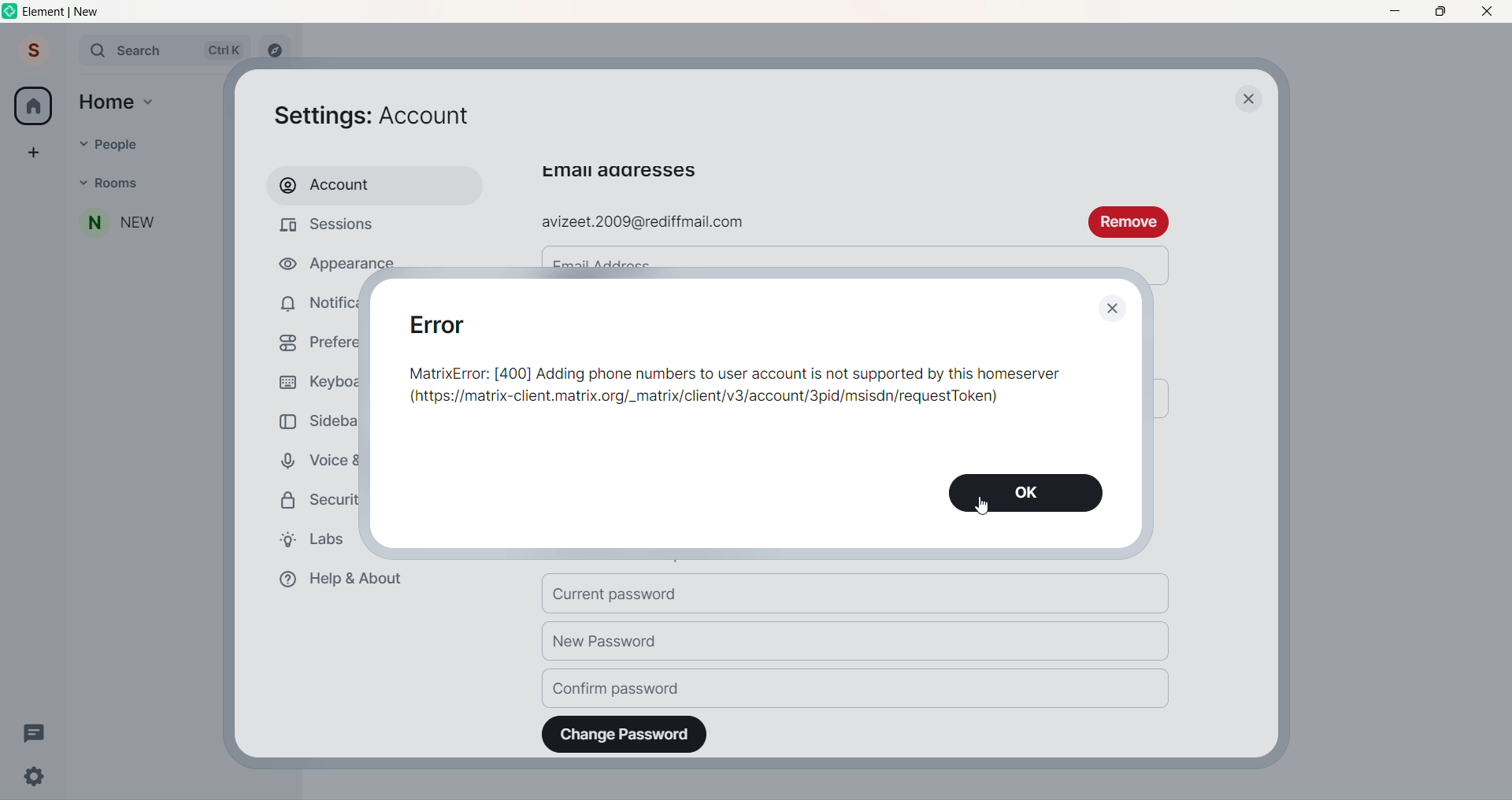 The width and height of the screenshot is (1512, 800). I want to click on People, so click(154, 142).